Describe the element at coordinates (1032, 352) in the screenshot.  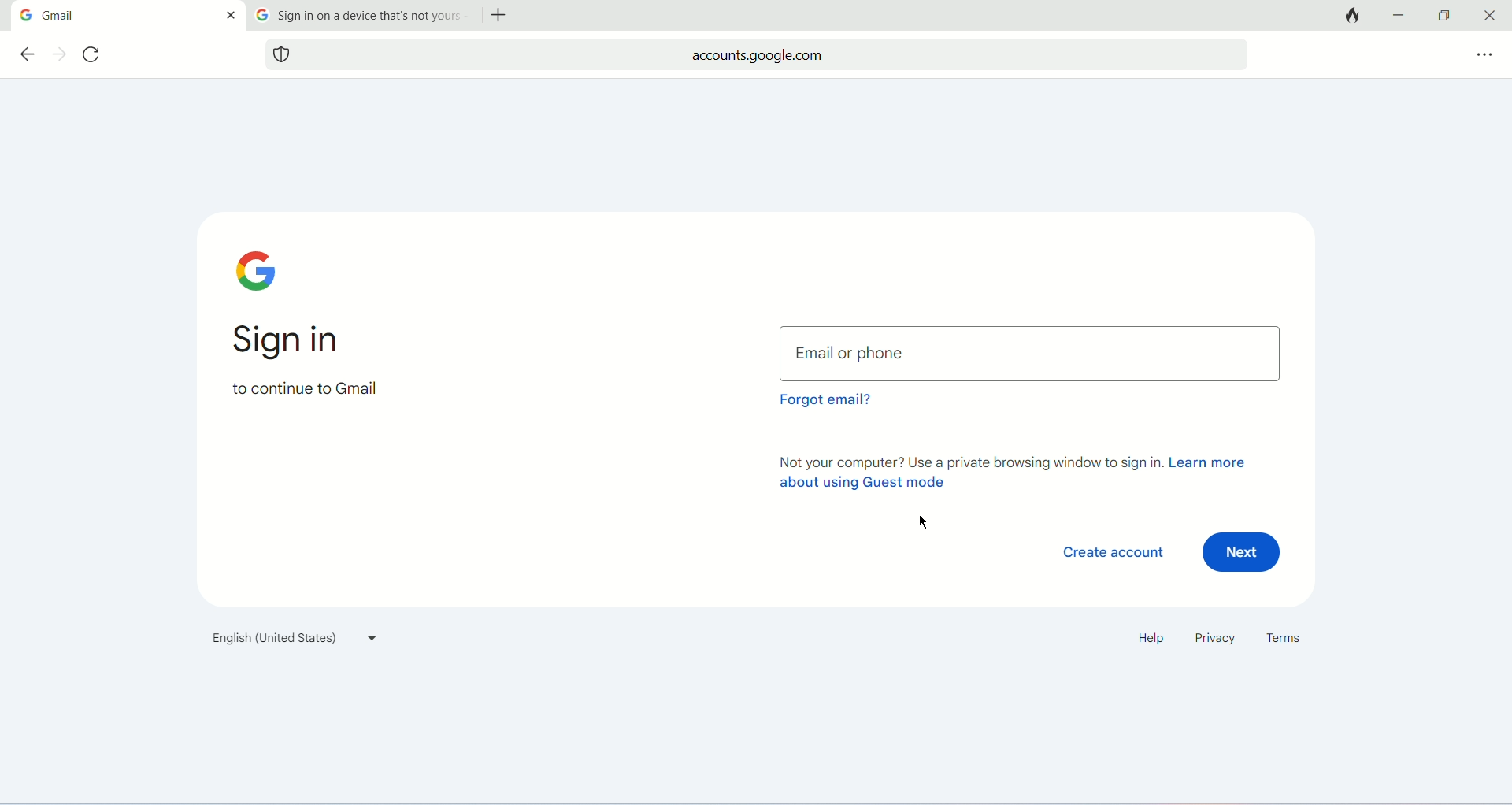
I see `email or phone` at that location.